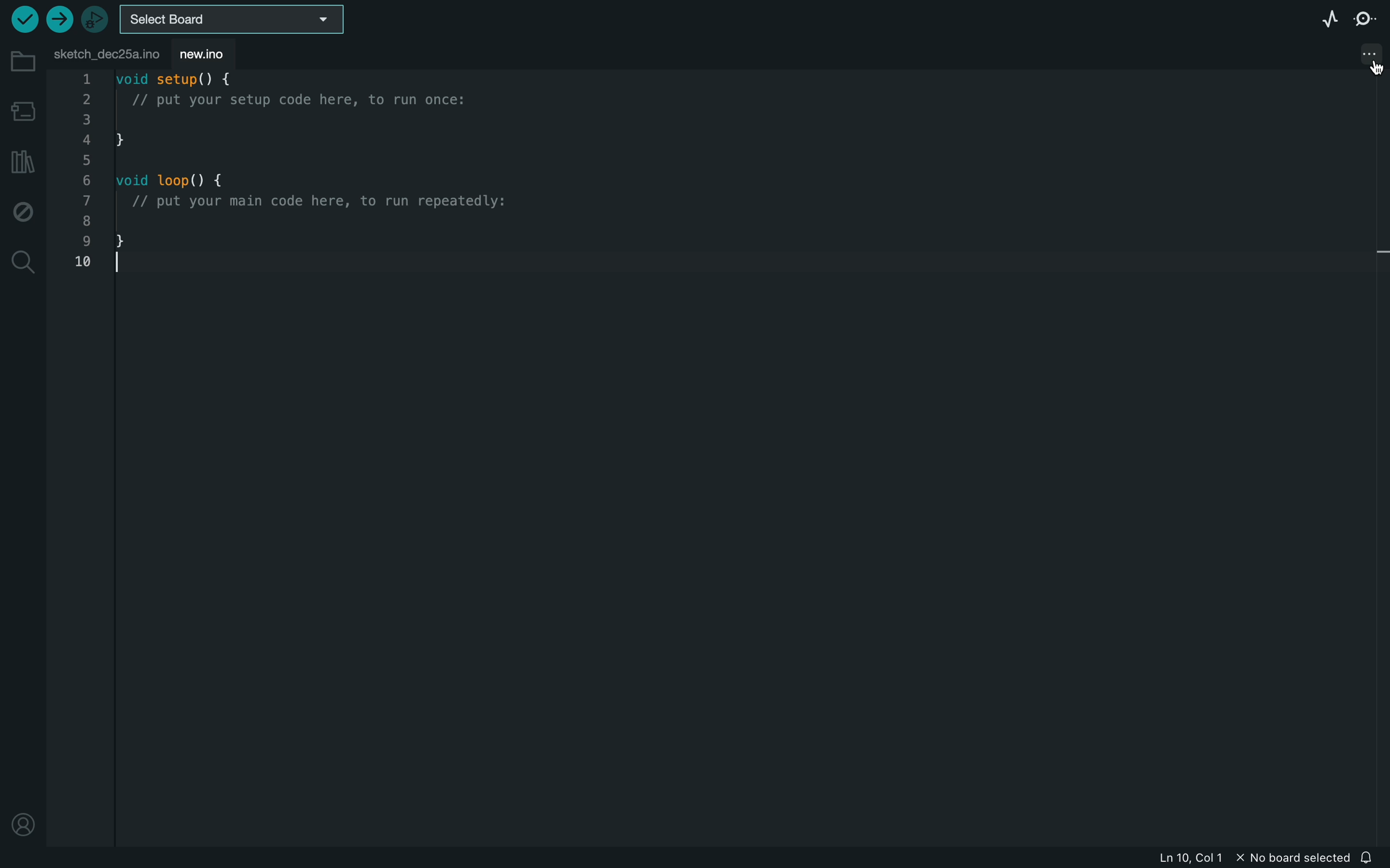  What do you see at coordinates (23, 821) in the screenshot?
I see `profile` at bounding box center [23, 821].